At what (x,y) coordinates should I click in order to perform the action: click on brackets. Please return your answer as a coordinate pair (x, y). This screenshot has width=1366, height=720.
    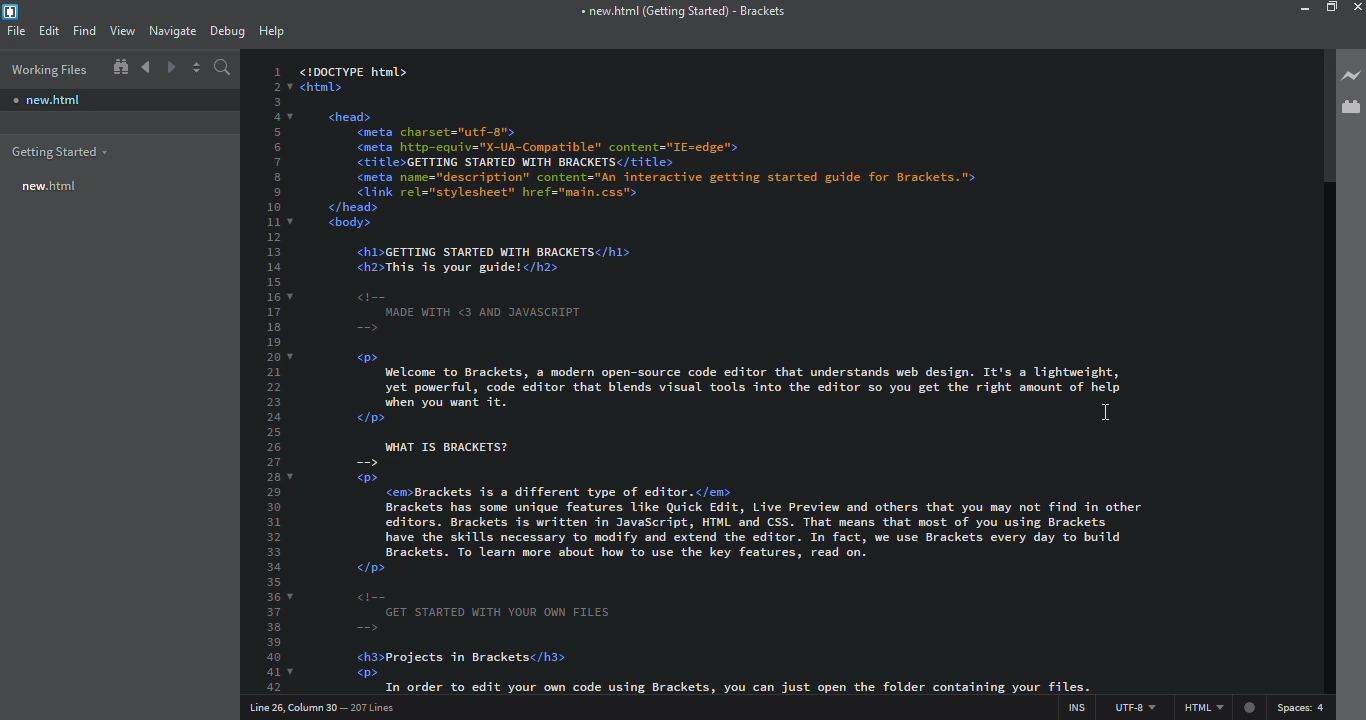
    Looking at the image, I should click on (11, 12).